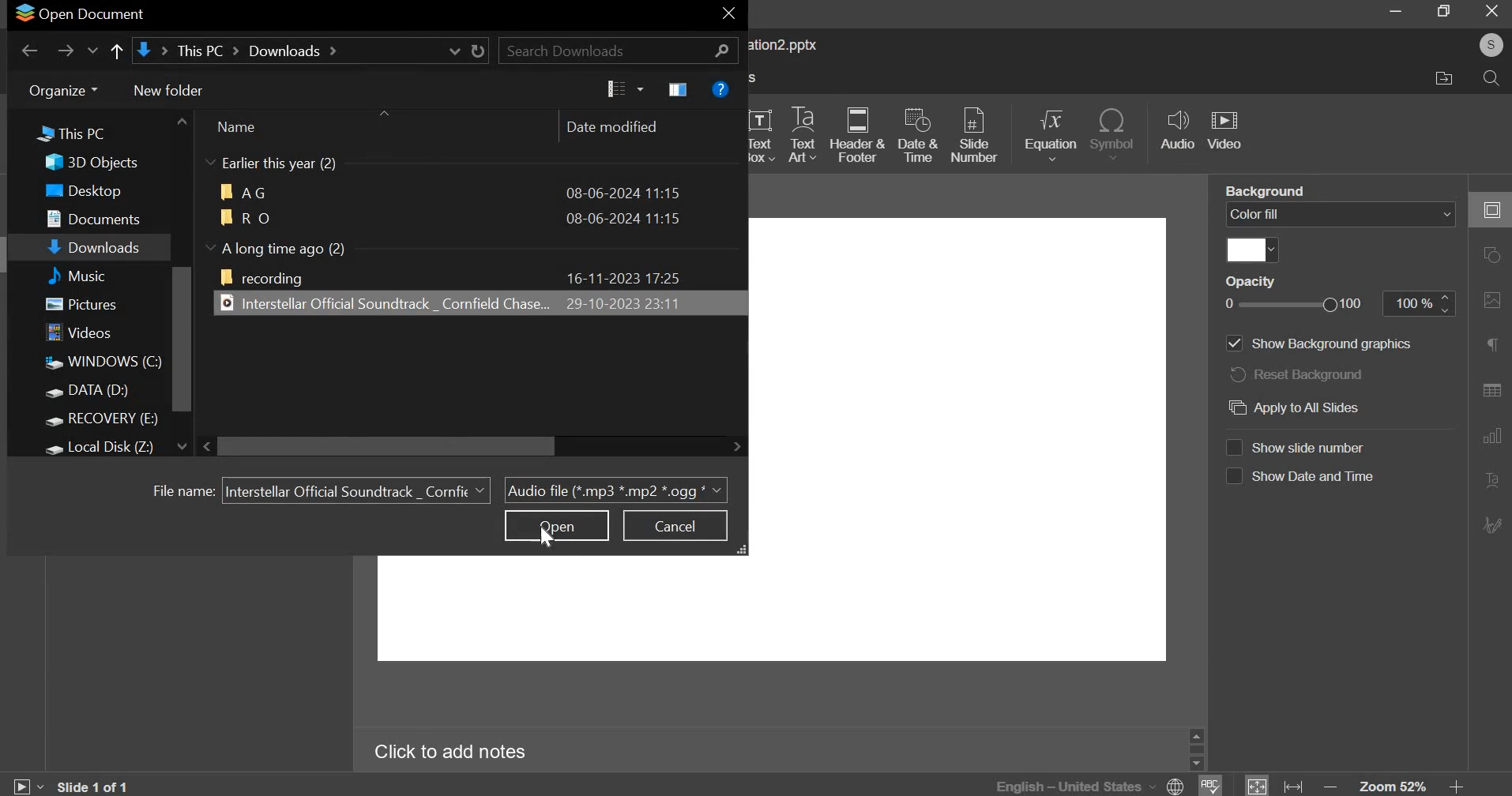 This screenshot has height=796, width=1512. I want to click on shape settings, so click(1491, 253).